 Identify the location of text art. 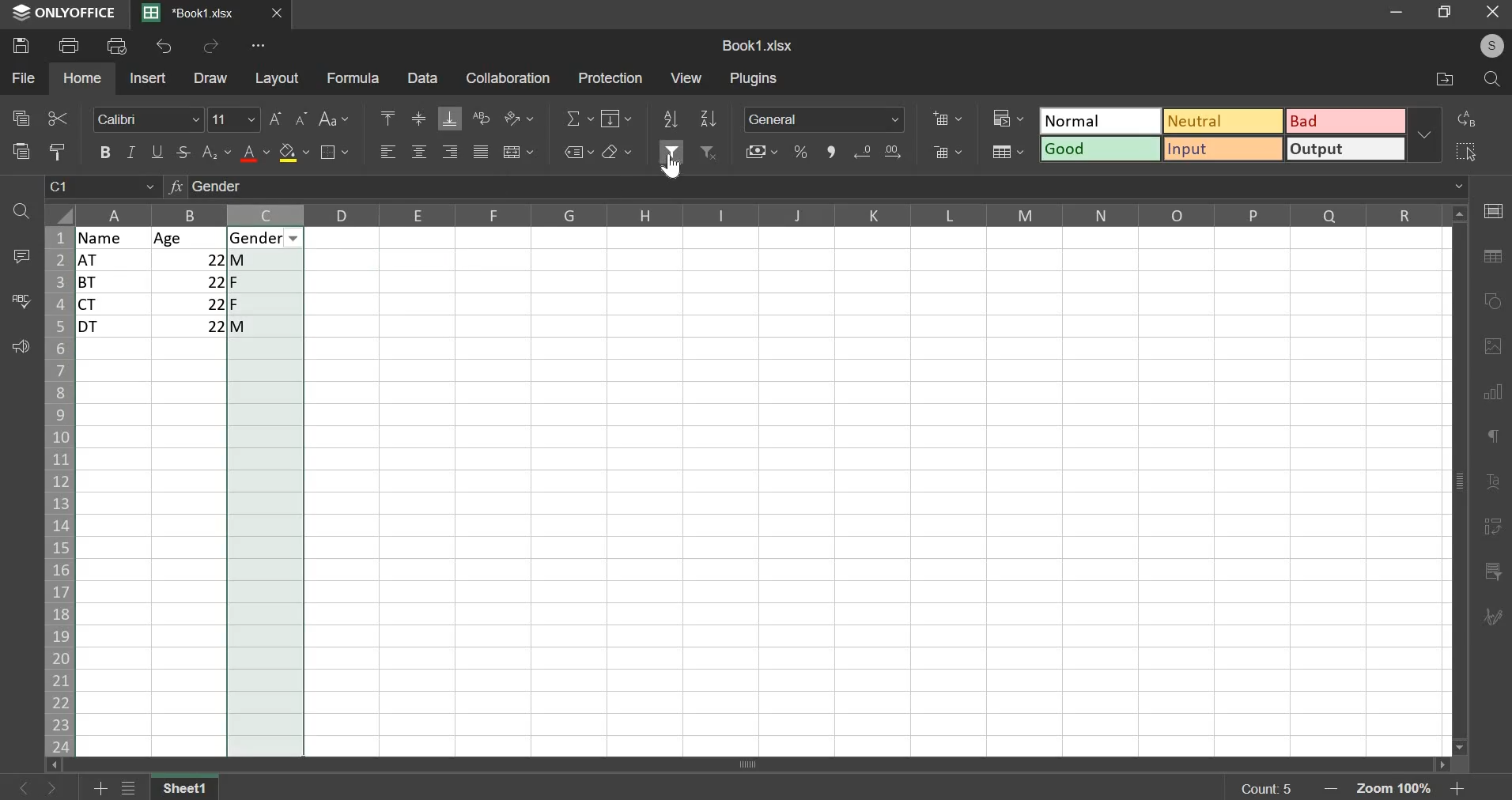
(1493, 484).